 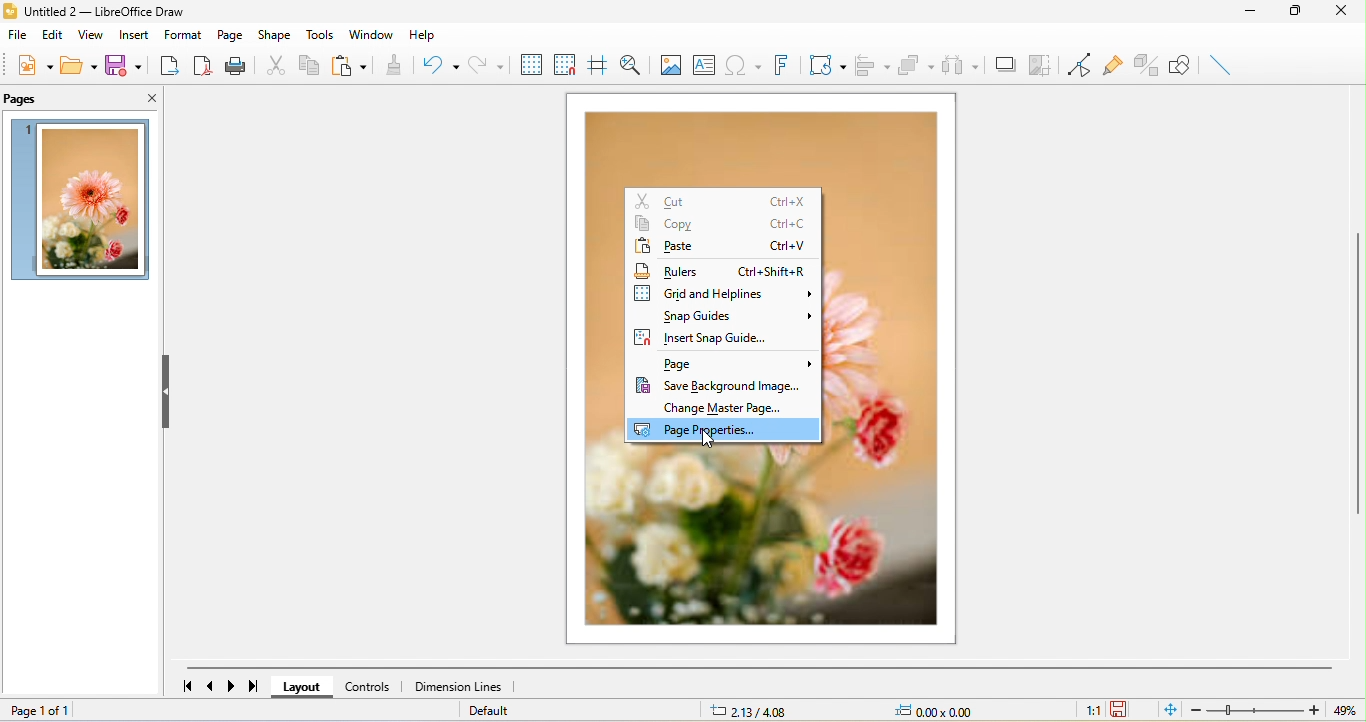 I want to click on hide, so click(x=169, y=394).